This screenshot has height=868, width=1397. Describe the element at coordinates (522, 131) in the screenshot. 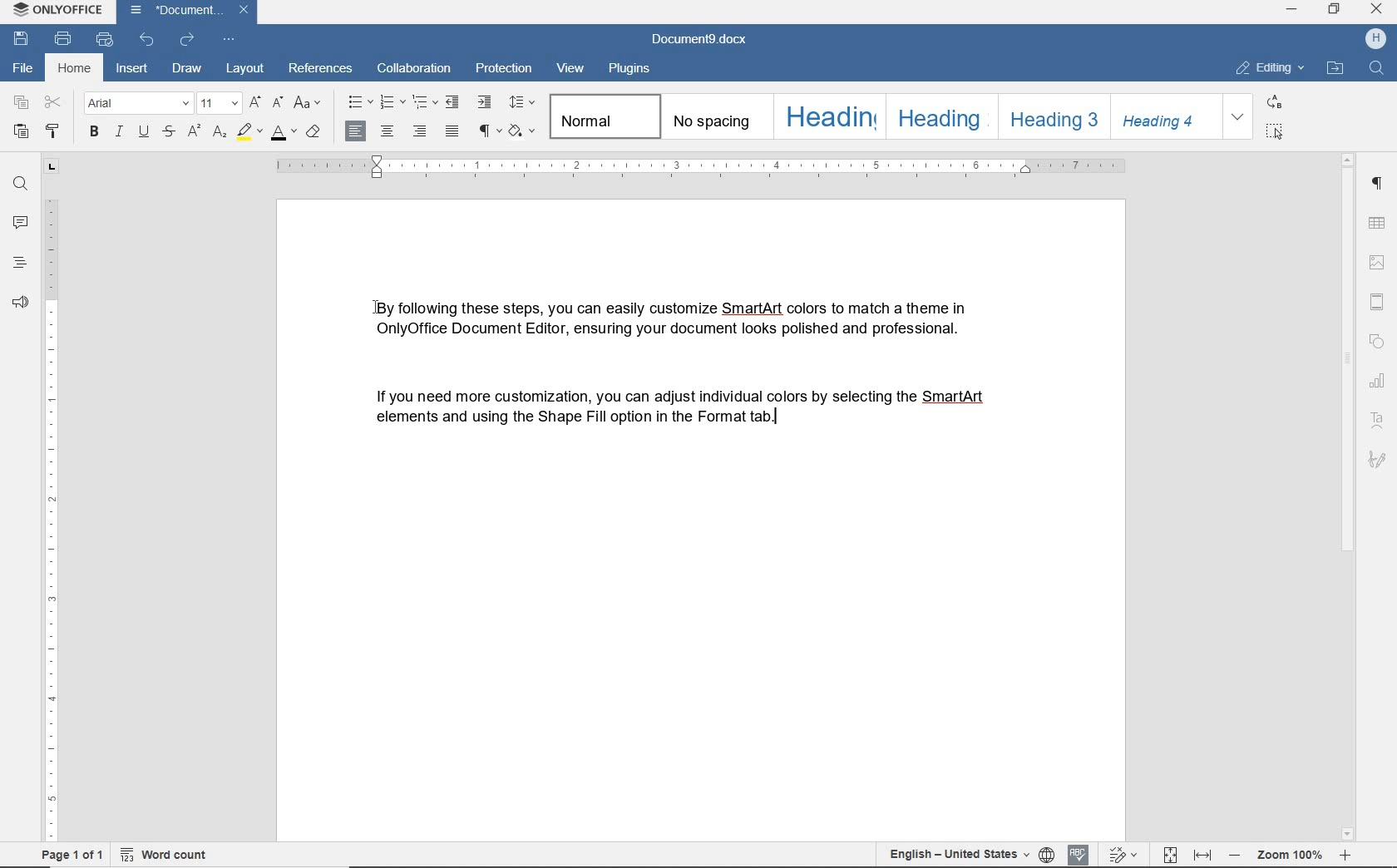

I see `shading` at that location.